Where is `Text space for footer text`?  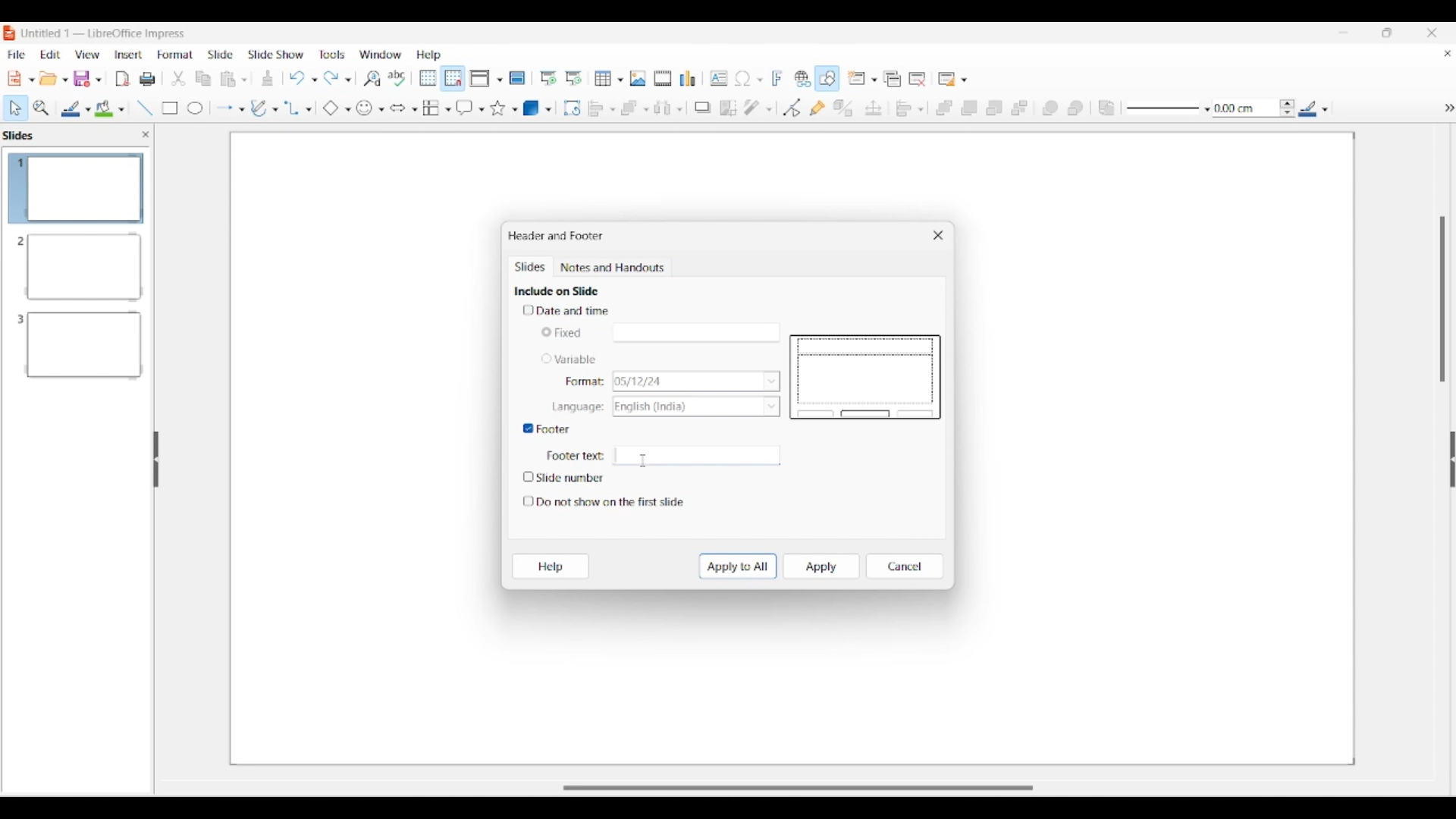
Text space for footer text is located at coordinates (695, 454).